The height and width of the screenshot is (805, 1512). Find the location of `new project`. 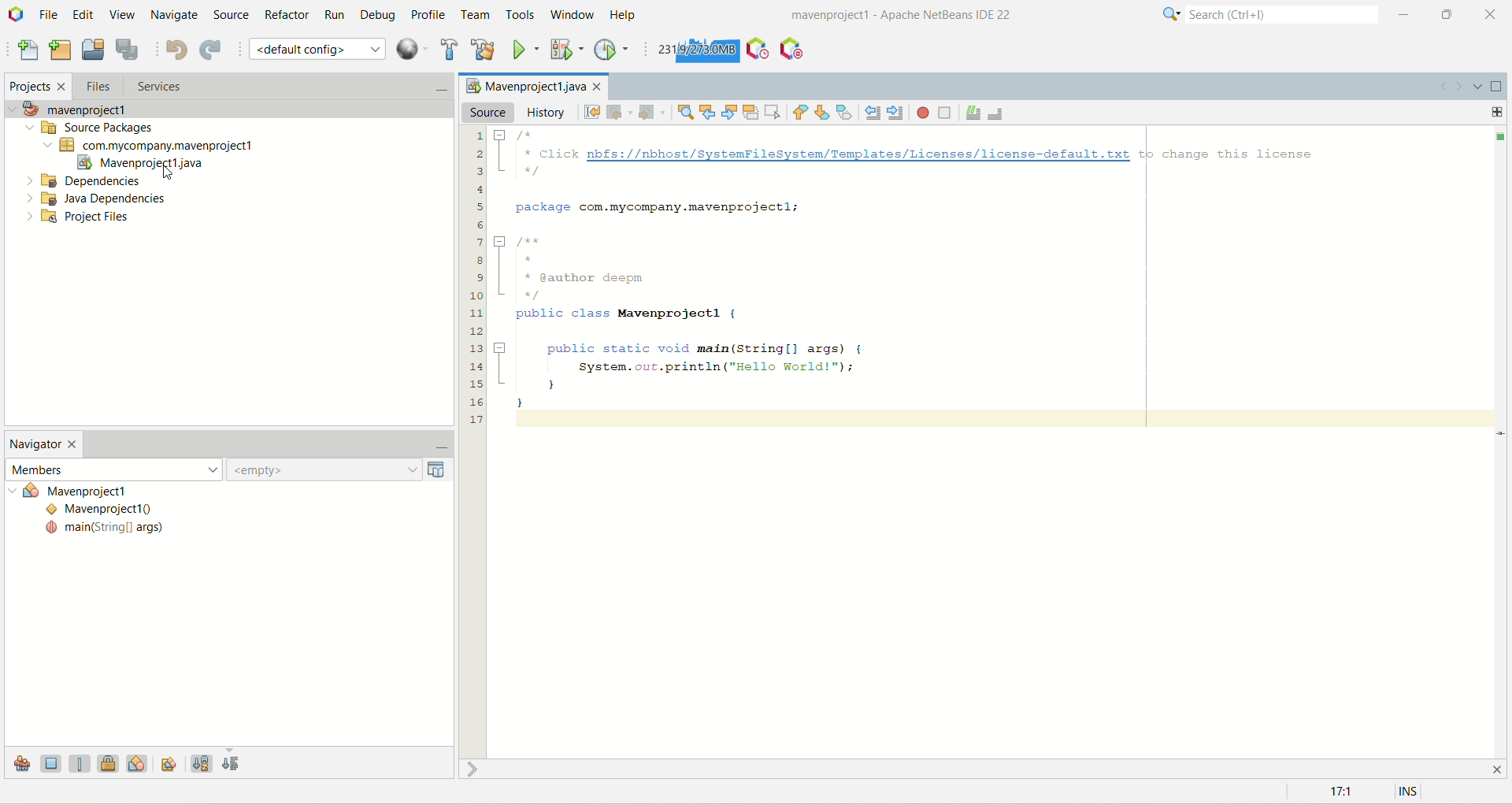

new project is located at coordinates (60, 48).